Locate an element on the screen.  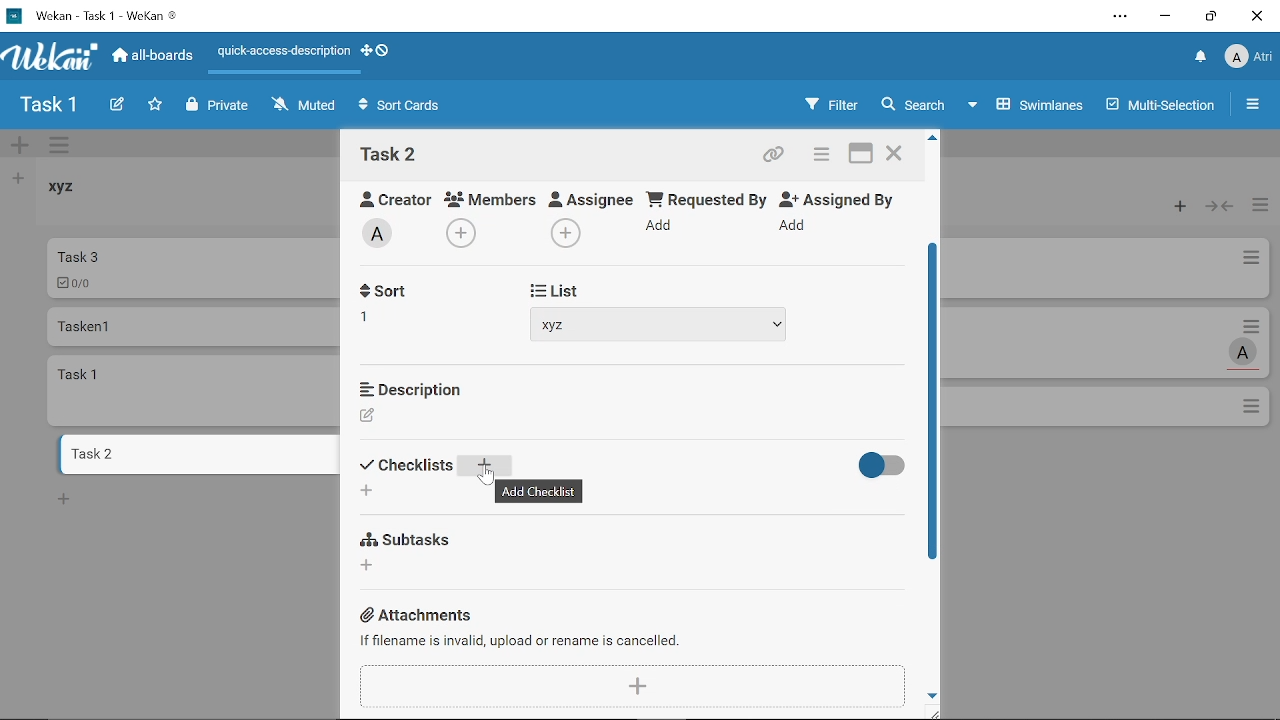
Vertical scrollbar is located at coordinates (935, 410).